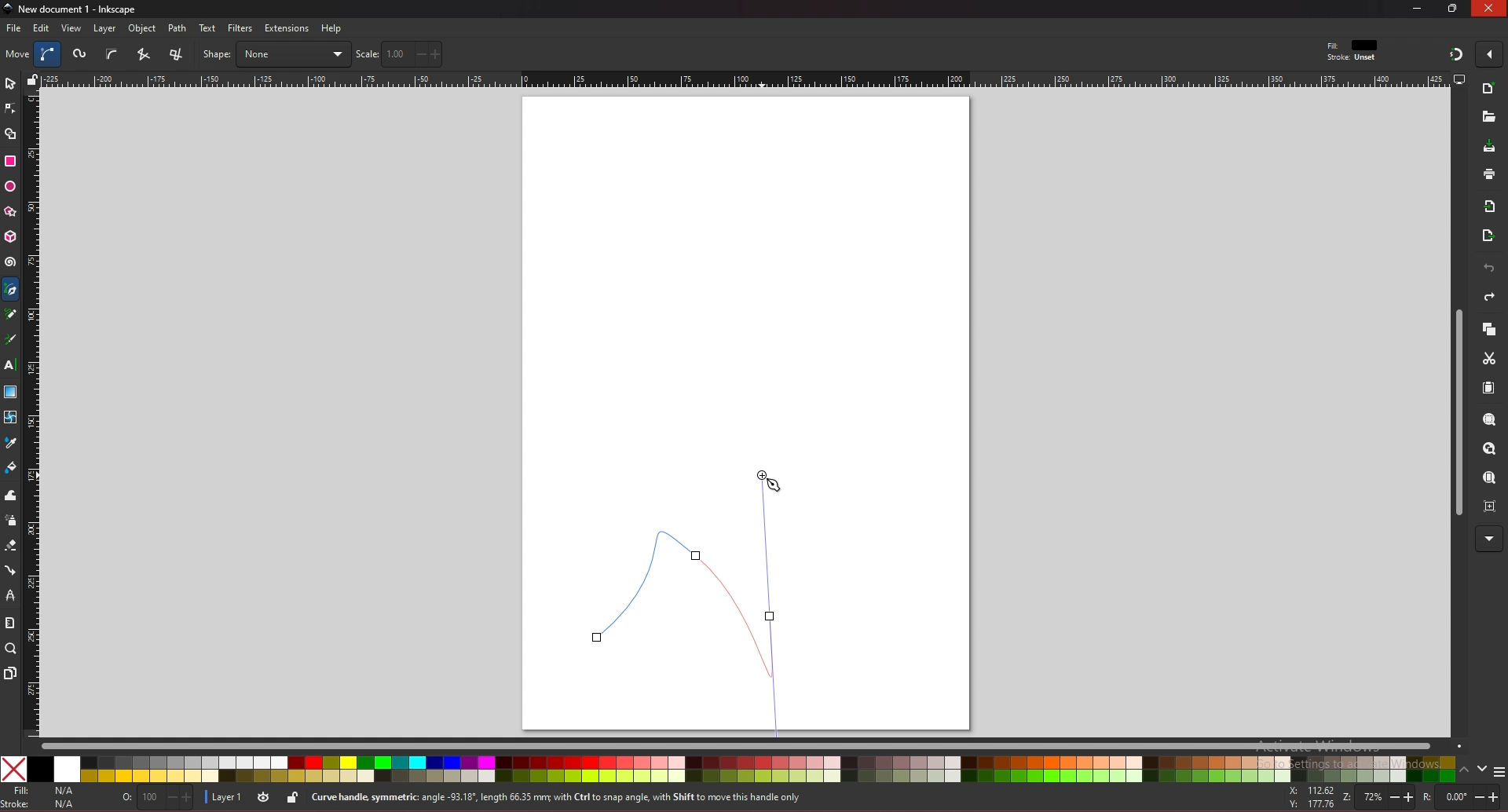  I want to click on zoom selection, so click(1491, 421).